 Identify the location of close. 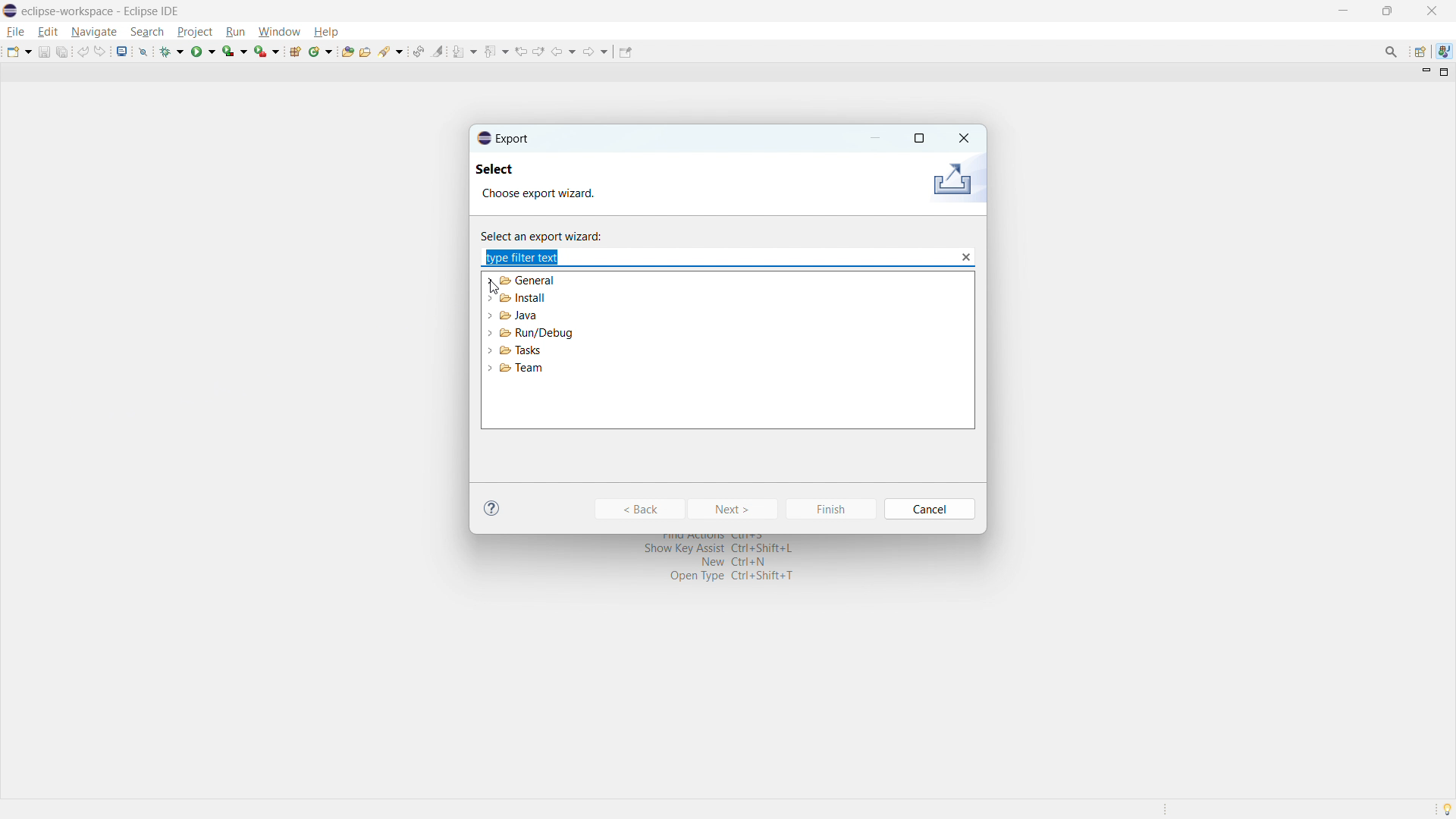
(962, 136).